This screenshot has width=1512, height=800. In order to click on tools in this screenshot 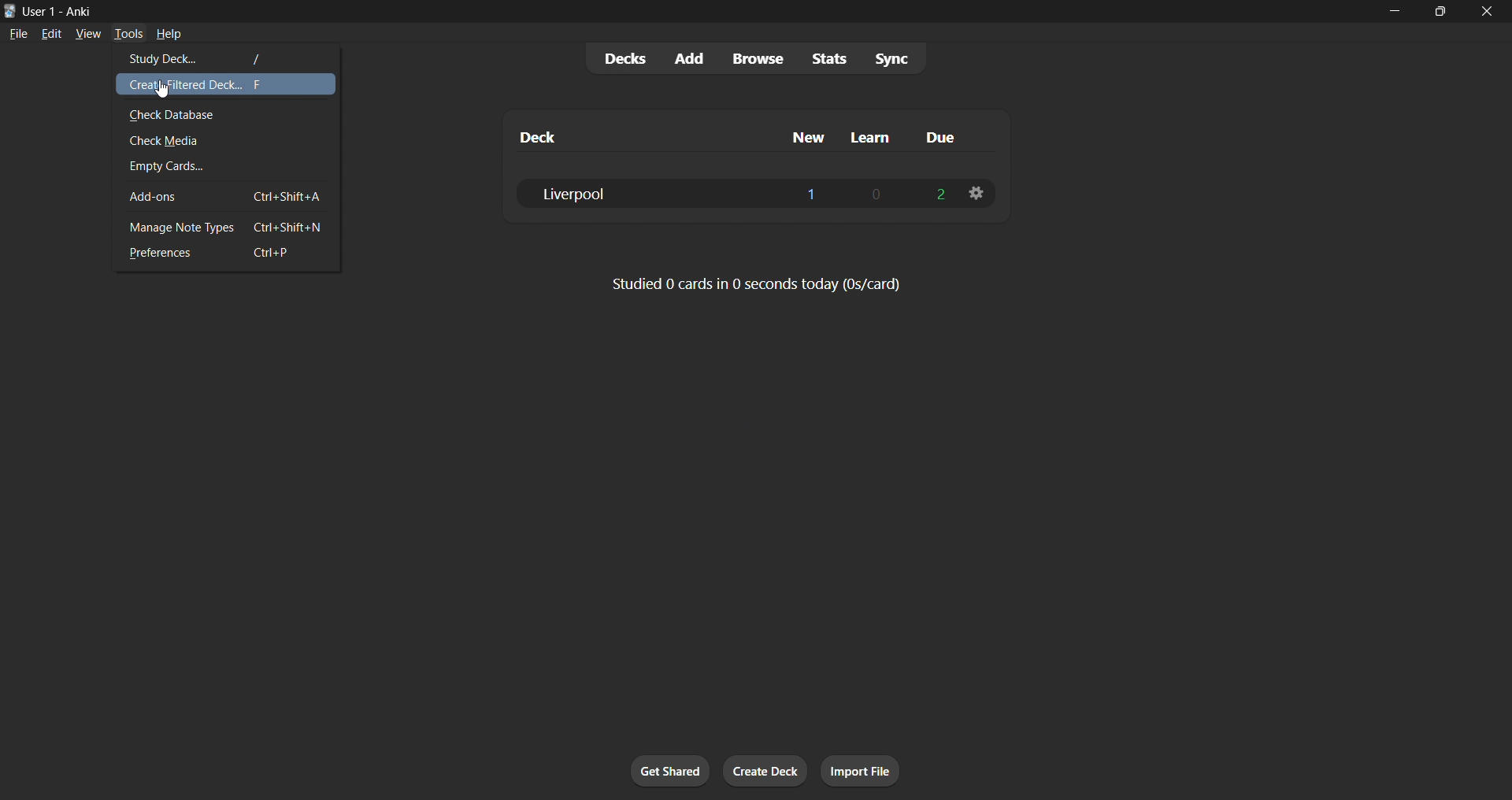, I will do `click(128, 35)`.